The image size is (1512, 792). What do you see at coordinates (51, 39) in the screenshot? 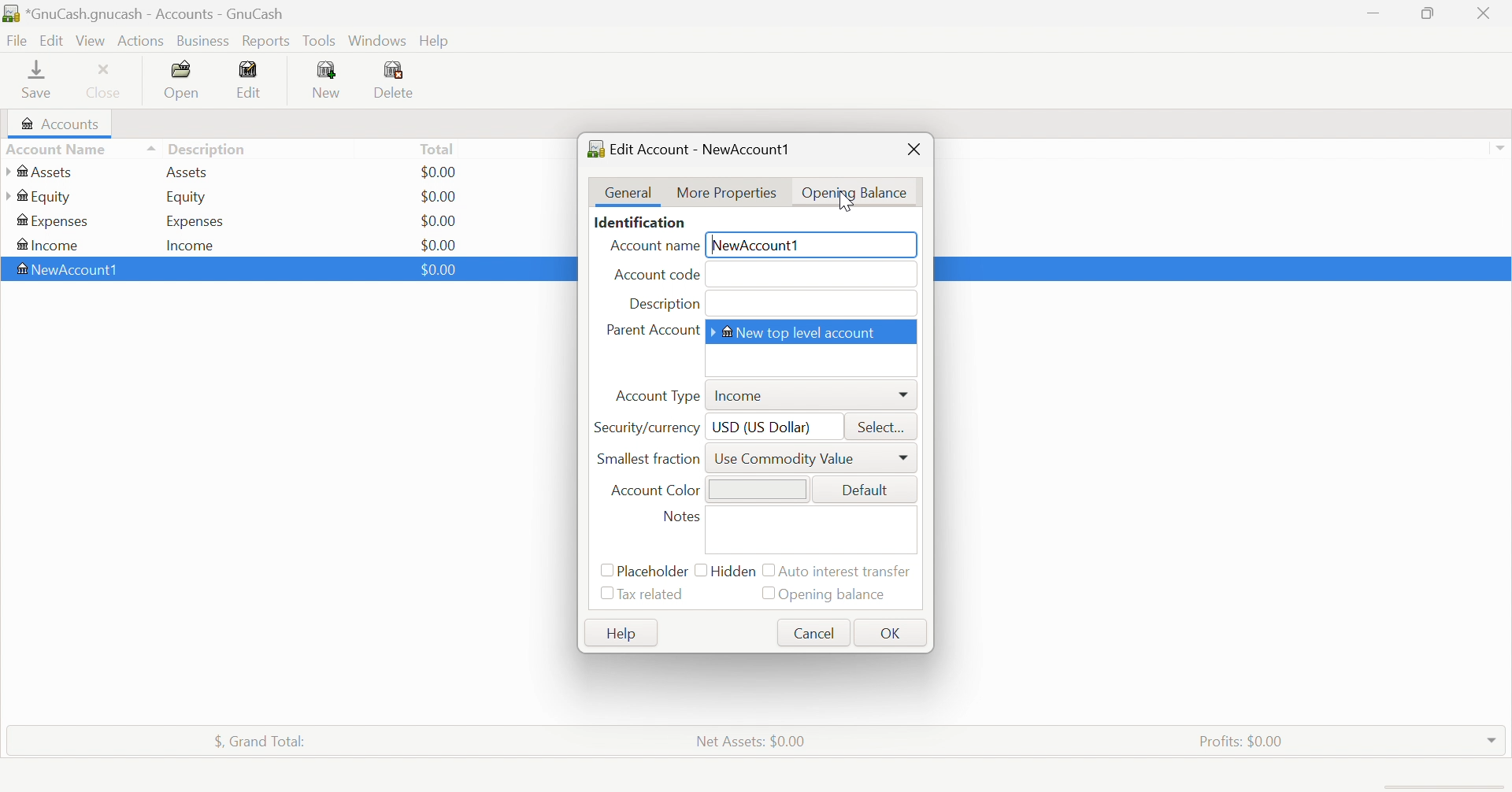
I see `Edit` at bounding box center [51, 39].